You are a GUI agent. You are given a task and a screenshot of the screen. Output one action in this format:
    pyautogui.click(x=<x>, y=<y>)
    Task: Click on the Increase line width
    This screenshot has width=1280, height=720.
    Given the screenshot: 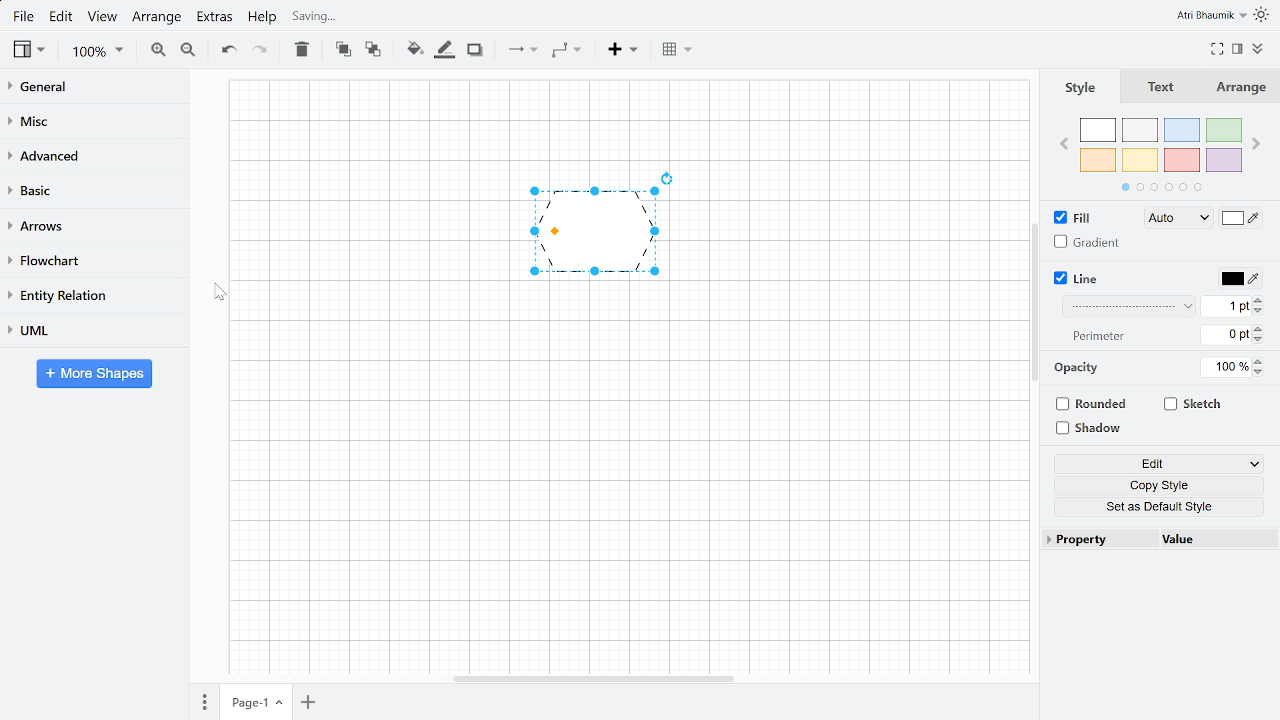 What is the action you would take?
    pyautogui.click(x=1260, y=301)
    